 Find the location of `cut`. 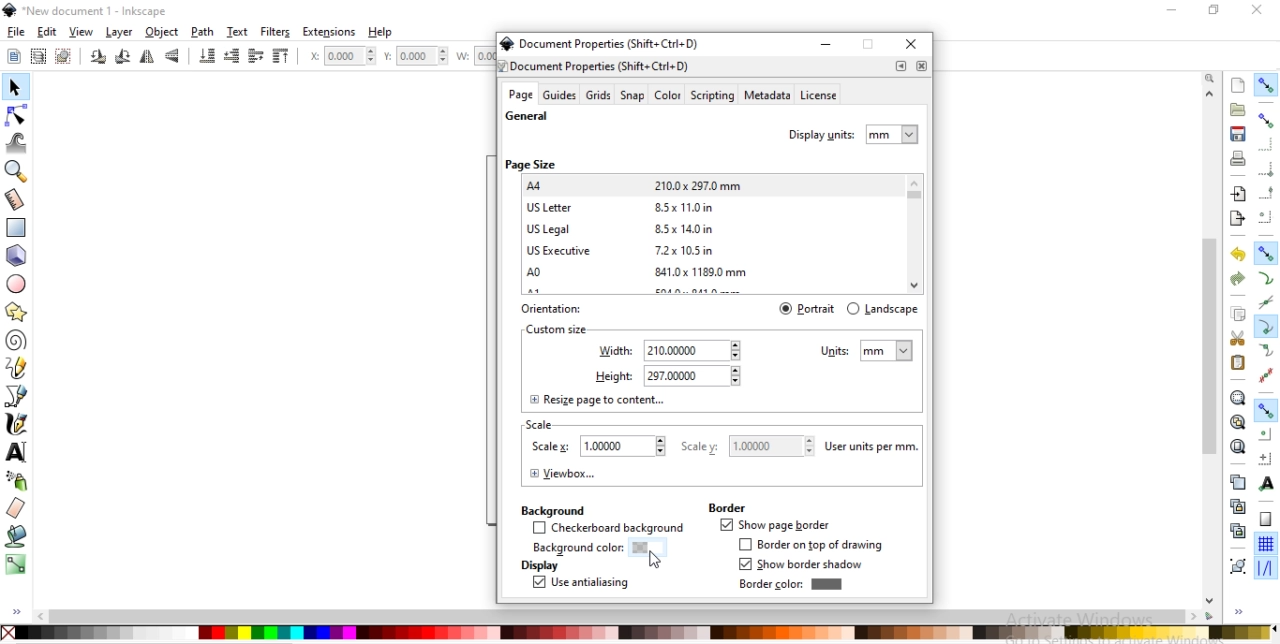

cut is located at coordinates (1238, 337).